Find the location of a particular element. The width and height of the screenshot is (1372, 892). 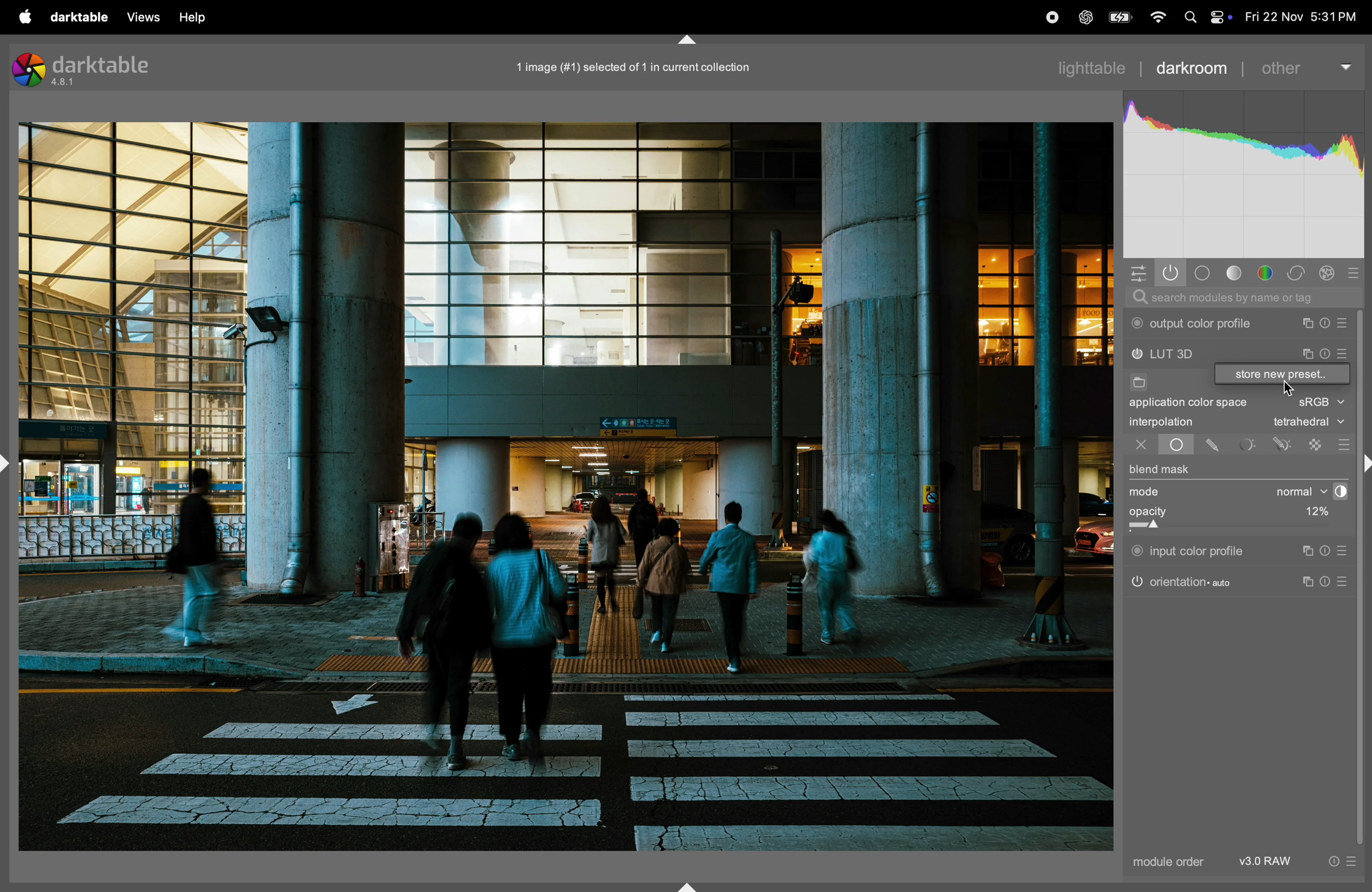

presets is located at coordinates (1345, 323).